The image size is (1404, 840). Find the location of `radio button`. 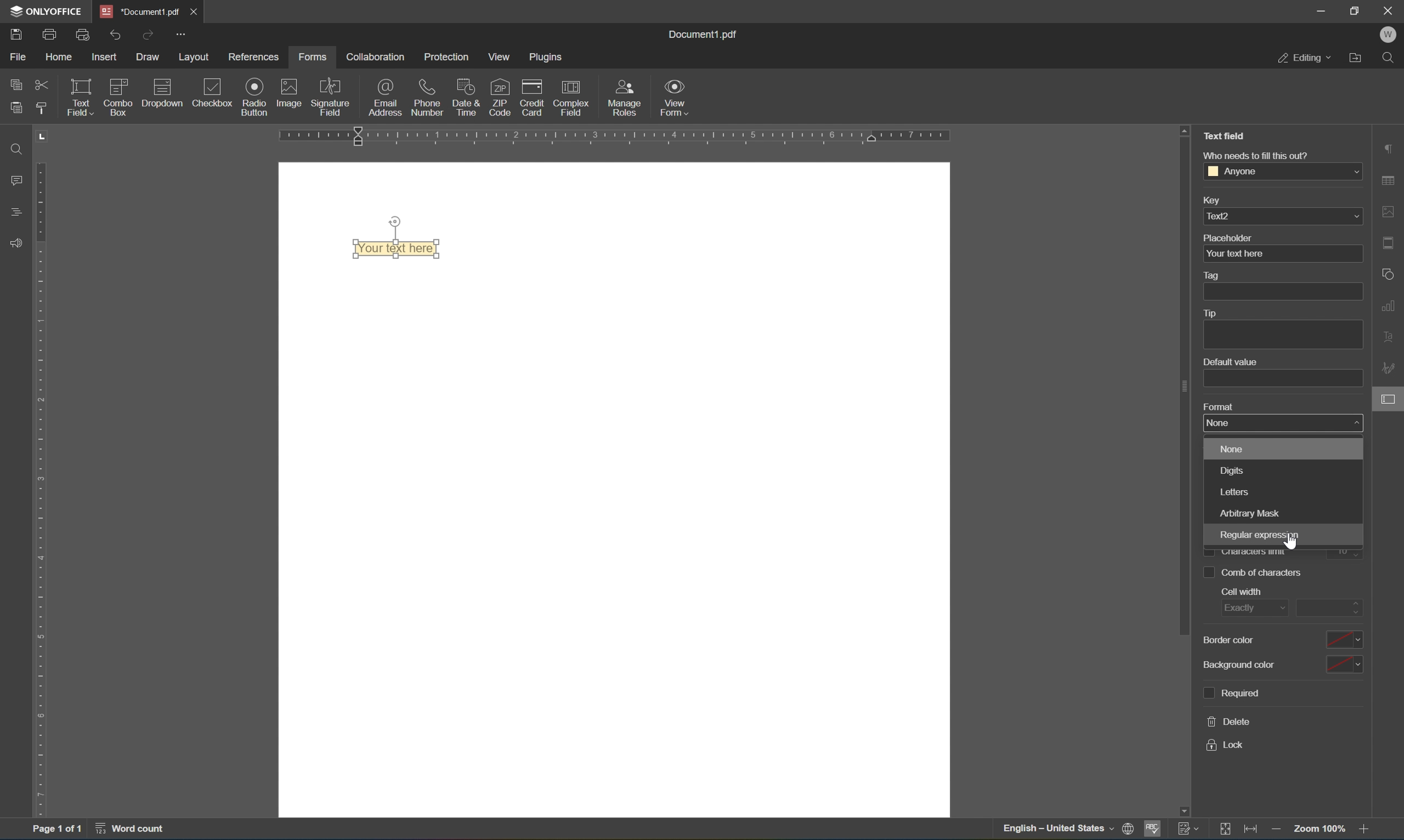

radio button is located at coordinates (254, 96).